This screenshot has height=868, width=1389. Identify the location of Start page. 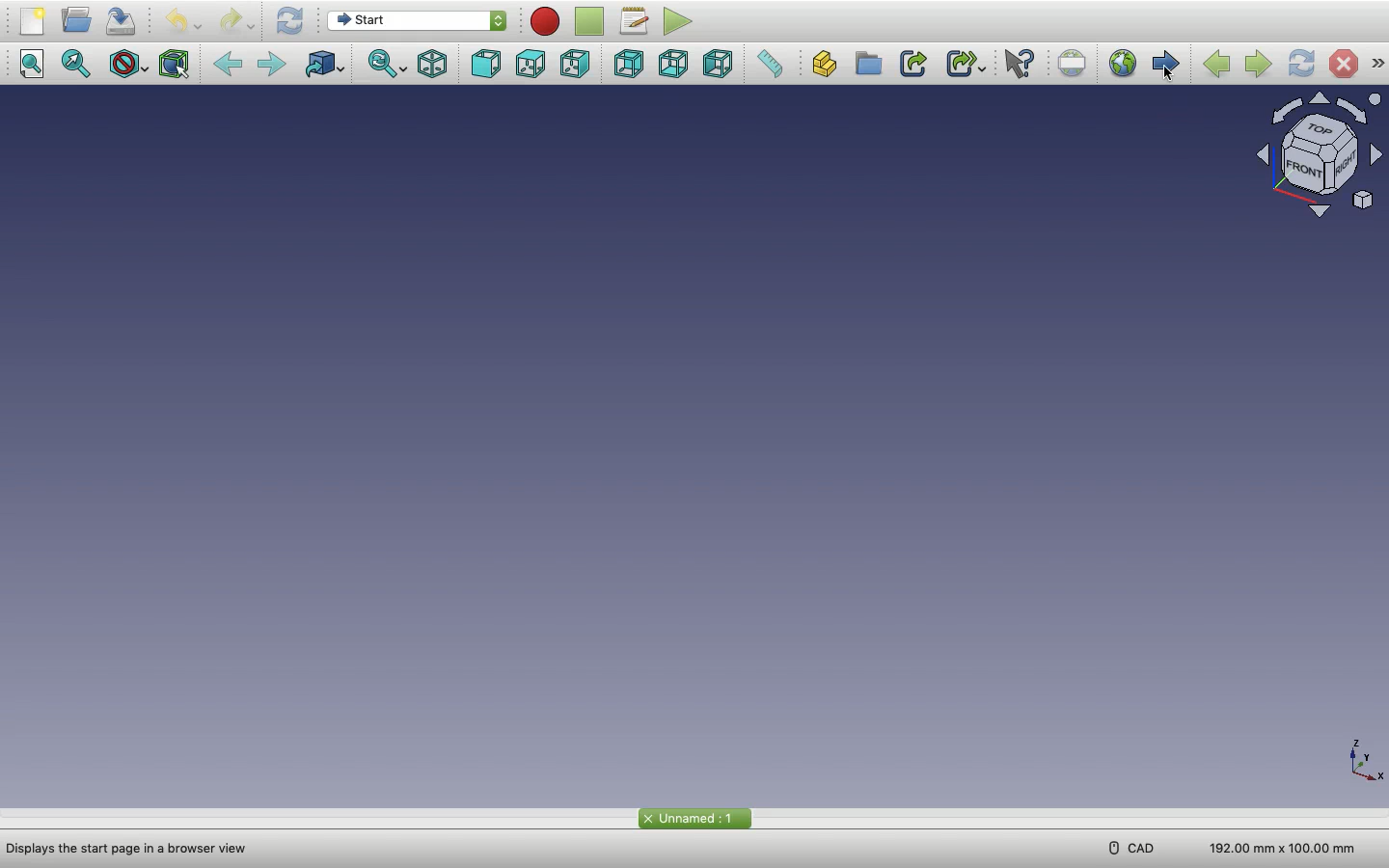
(694, 818).